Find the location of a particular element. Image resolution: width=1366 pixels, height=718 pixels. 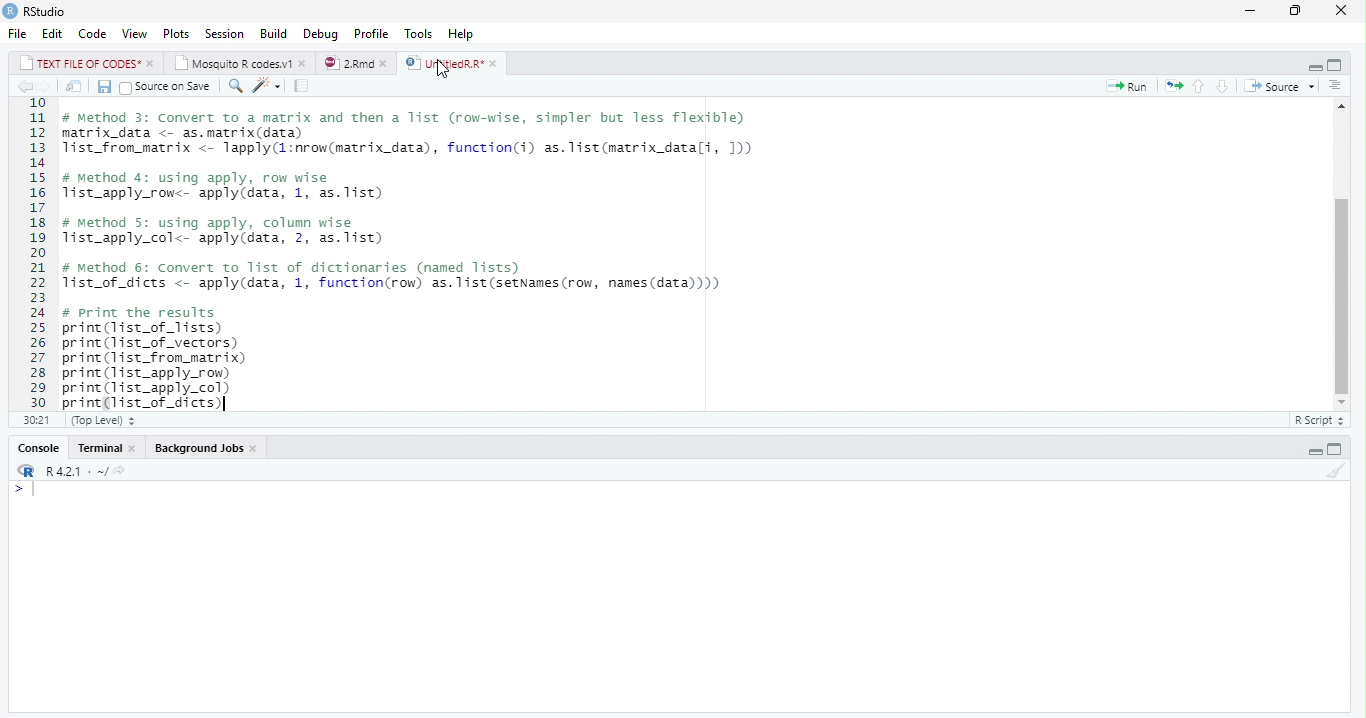

Console is located at coordinates (39, 447).